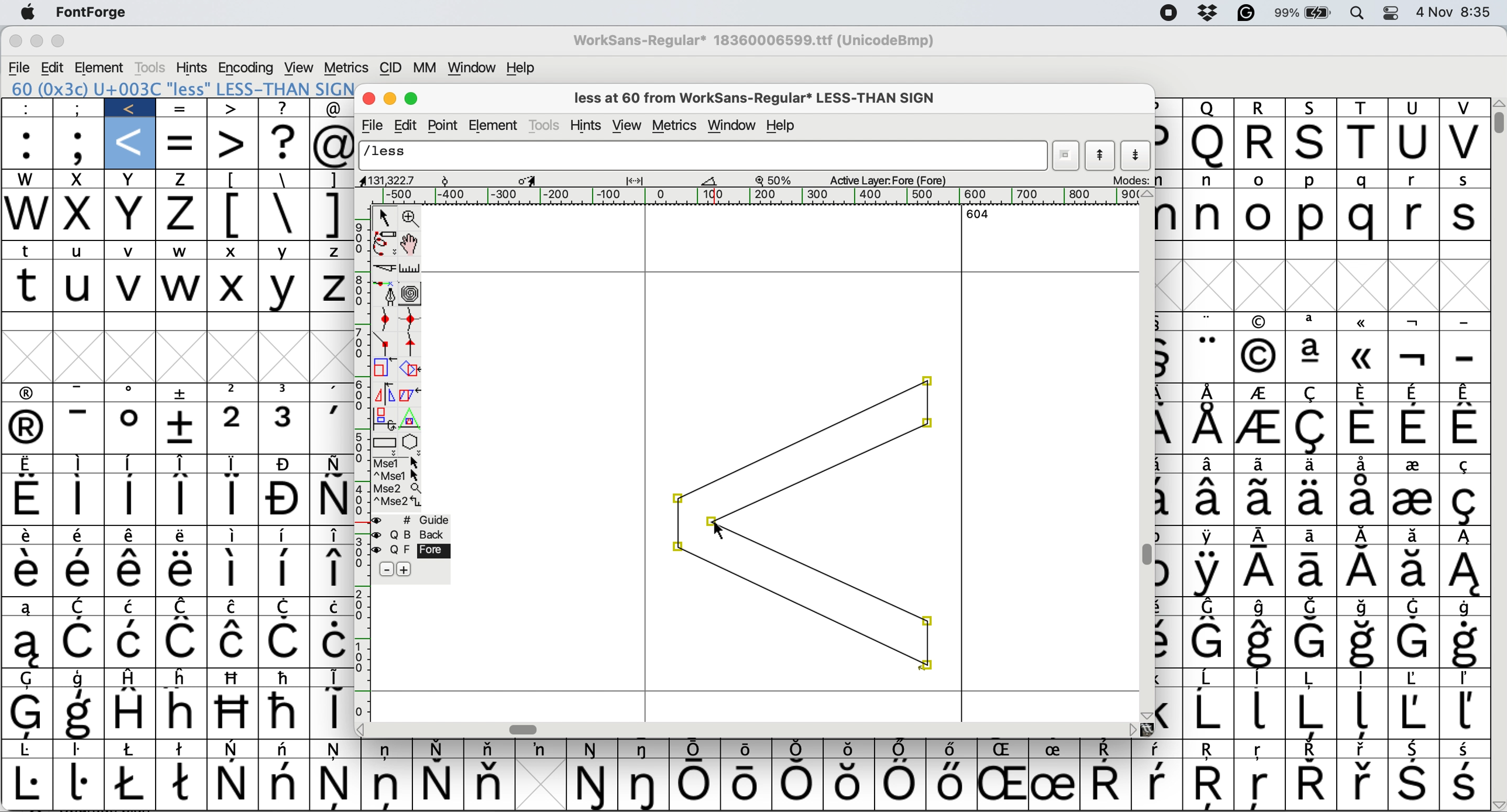 The image size is (1507, 812). What do you see at coordinates (1167, 321) in the screenshot?
I see `Symbol` at bounding box center [1167, 321].